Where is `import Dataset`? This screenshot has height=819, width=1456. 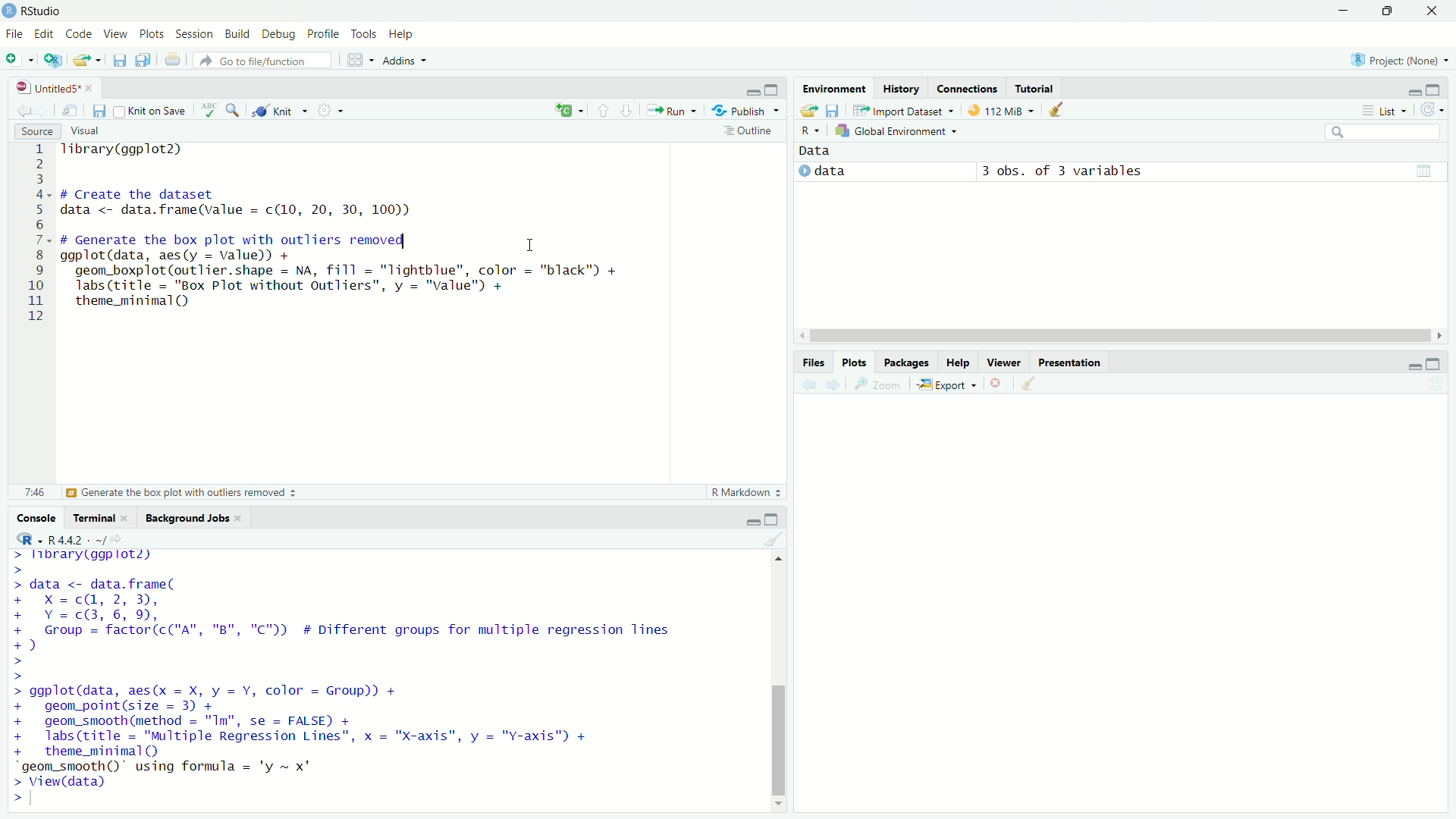
import Dataset is located at coordinates (901, 109).